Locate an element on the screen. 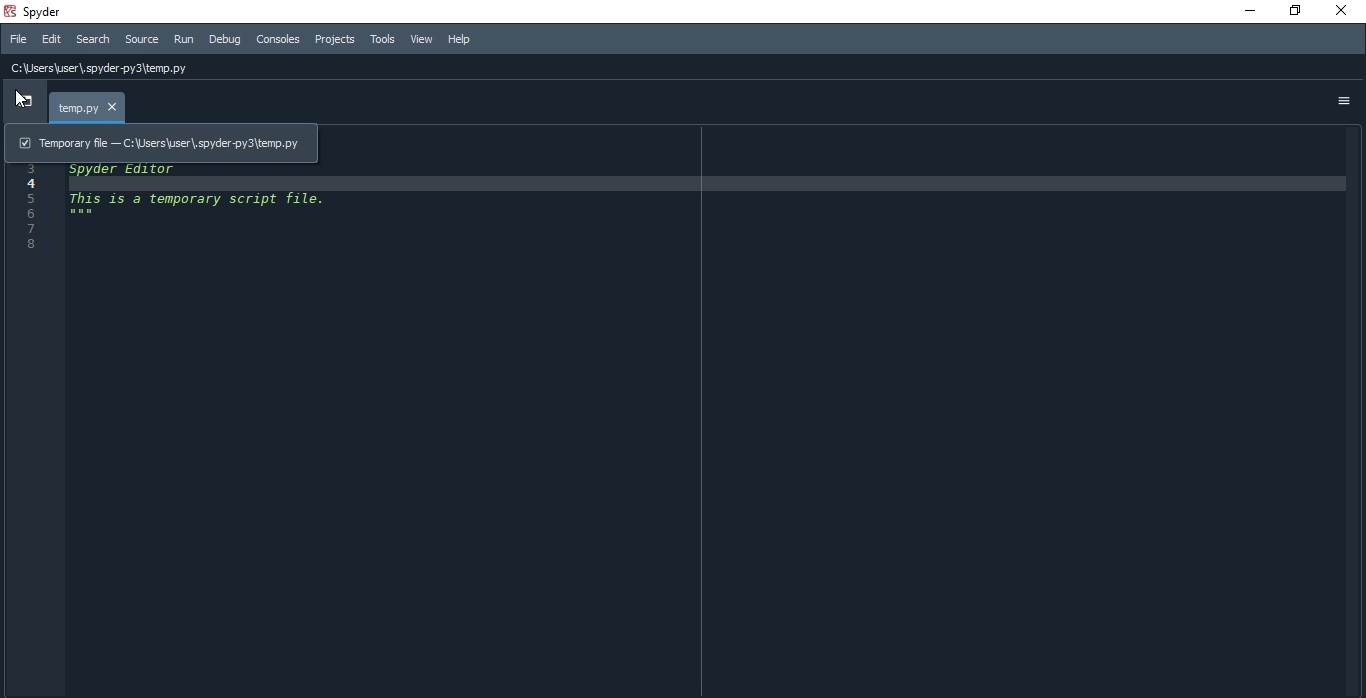 The width and height of the screenshot is (1366, 698). Help is located at coordinates (463, 39).